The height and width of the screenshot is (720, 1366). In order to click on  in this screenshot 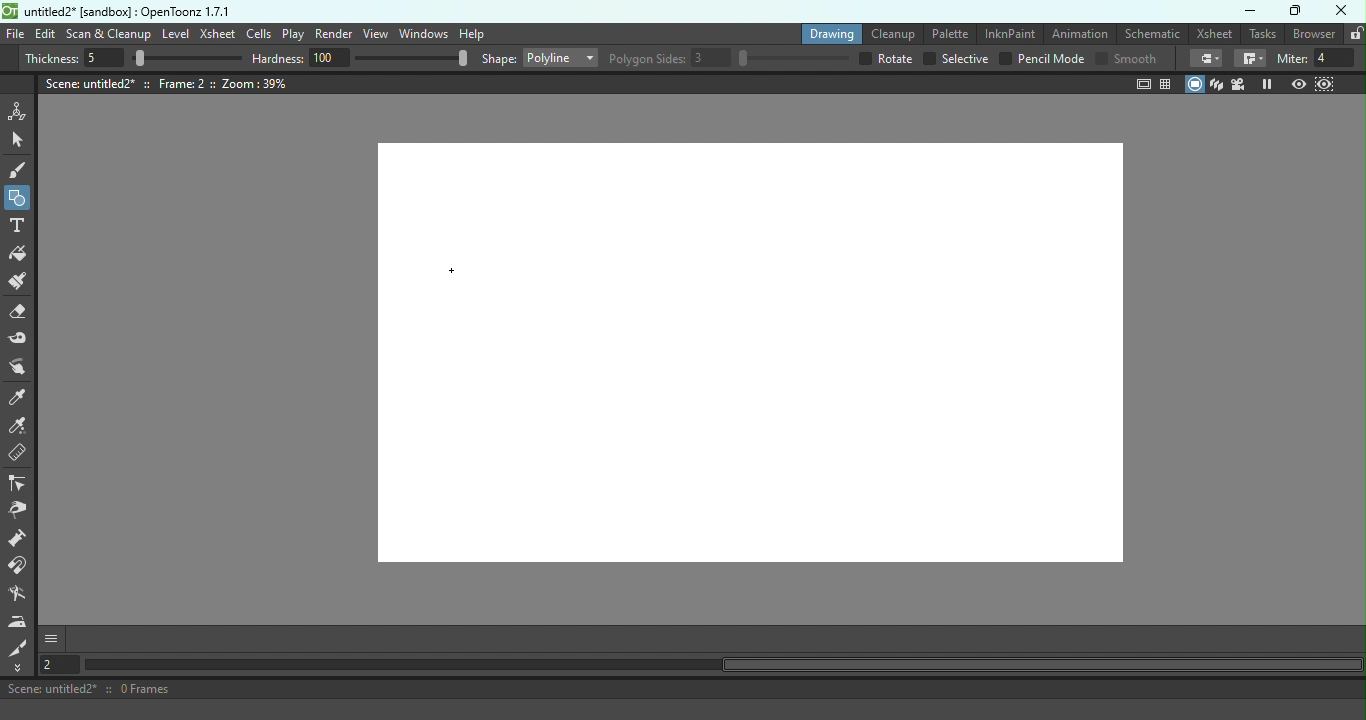, I will do `click(18, 196)`.